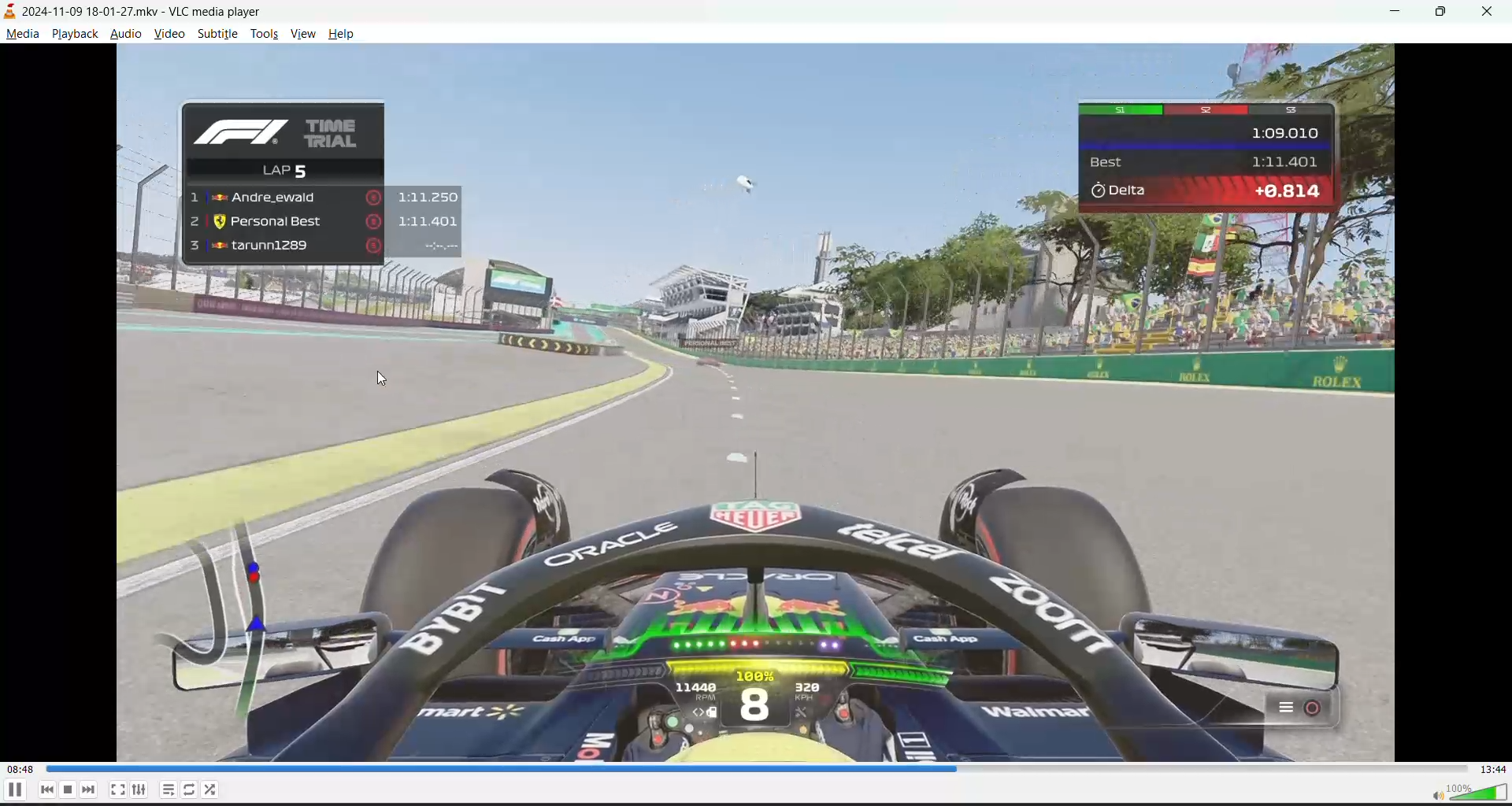  What do you see at coordinates (74, 34) in the screenshot?
I see `playback` at bounding box center [74, 34].